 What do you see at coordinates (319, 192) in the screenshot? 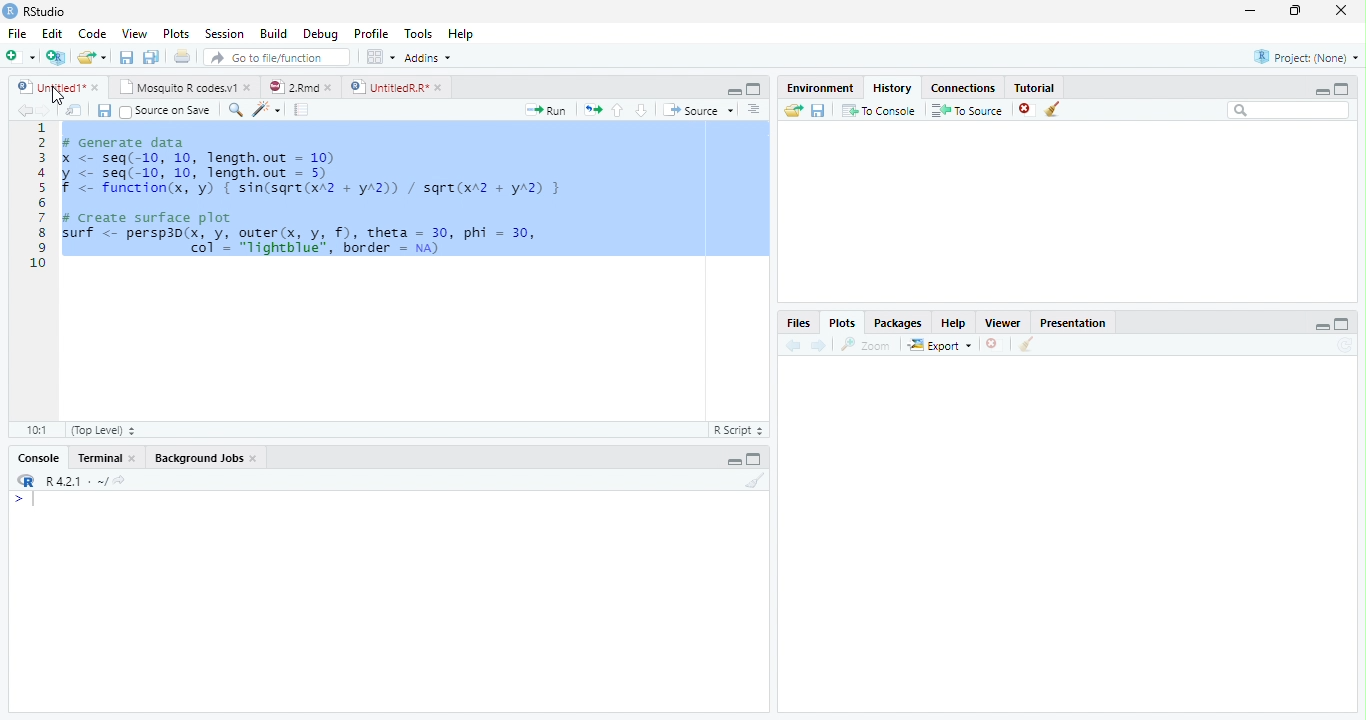
I see `# Generate data

x <- 5eq(-10, 10, length.out = 10)

y <- 5eq(-10, 10, length.out = 5)

f <- function(x, y) { sin(sqrt(xA2 + yA2)) / sqrt(xA2 + yA2) }

# create surface plot

surf <- persp3o(x, y, outer(x, y, f), theta = 30, phi = 30,
col = "Tightbiue", border = NA)` at bounding box center [319, 192].